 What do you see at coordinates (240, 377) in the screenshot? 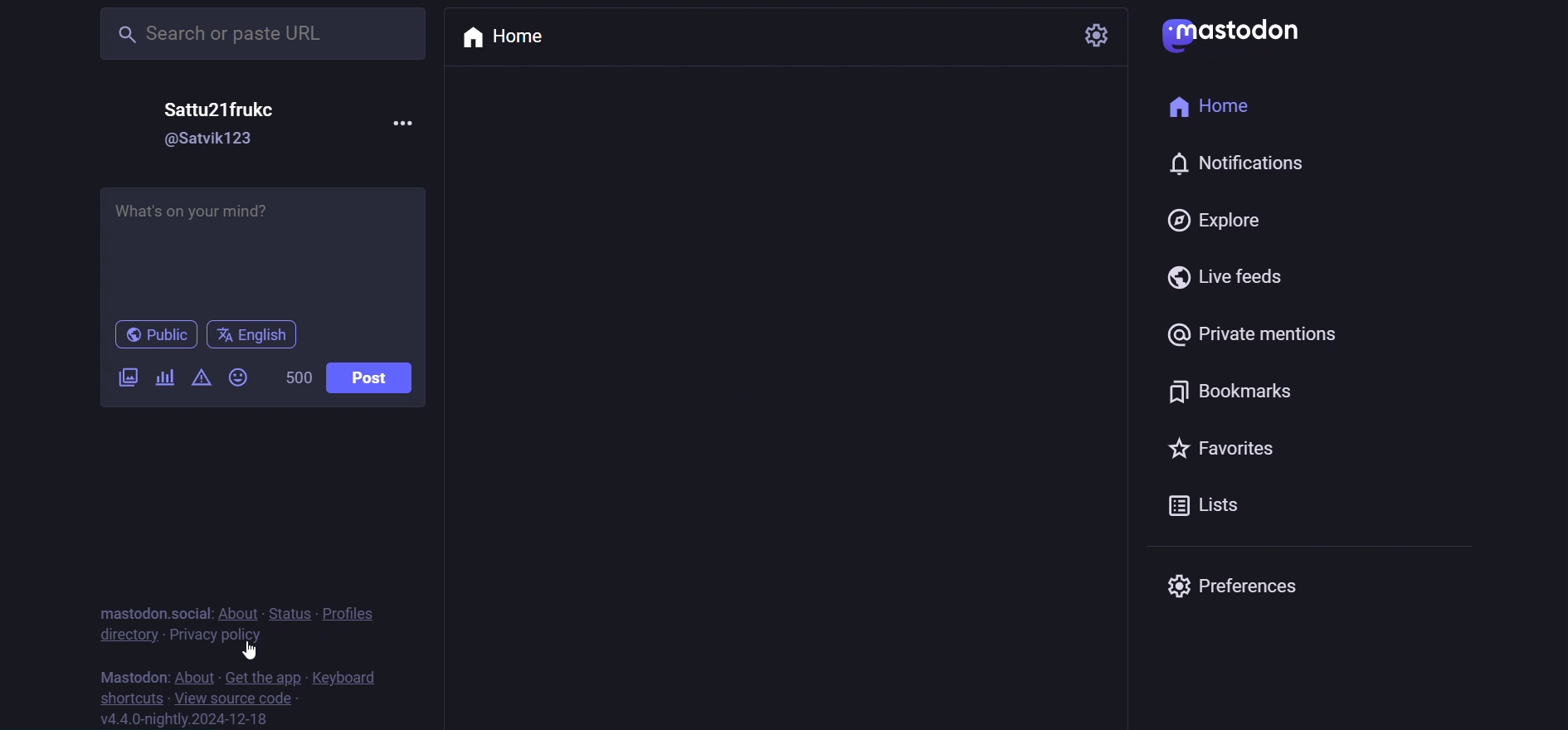
I see `emoji` at bounding box center [240, 377].